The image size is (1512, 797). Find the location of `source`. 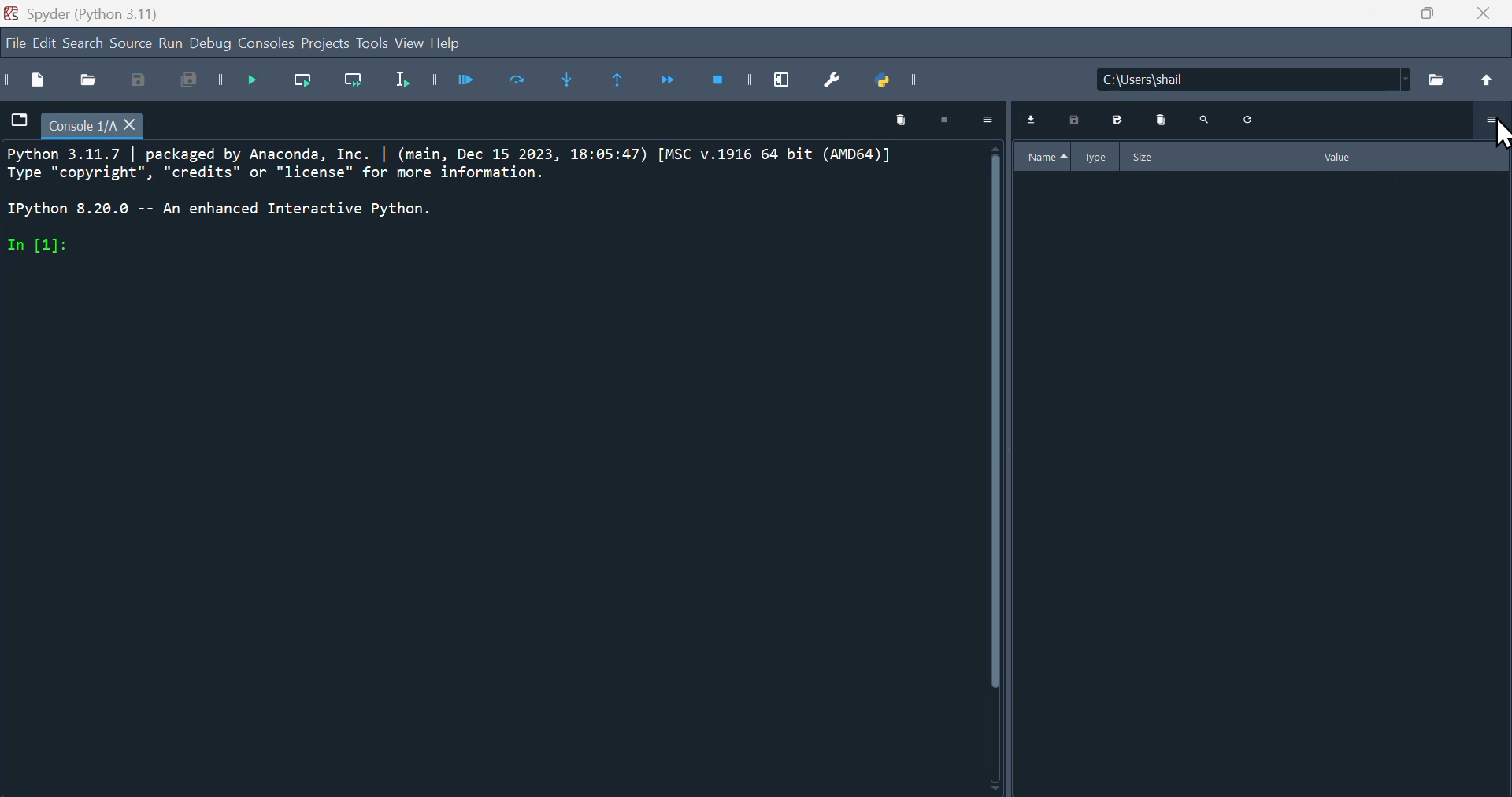

source is located at coordinates (128, 45).